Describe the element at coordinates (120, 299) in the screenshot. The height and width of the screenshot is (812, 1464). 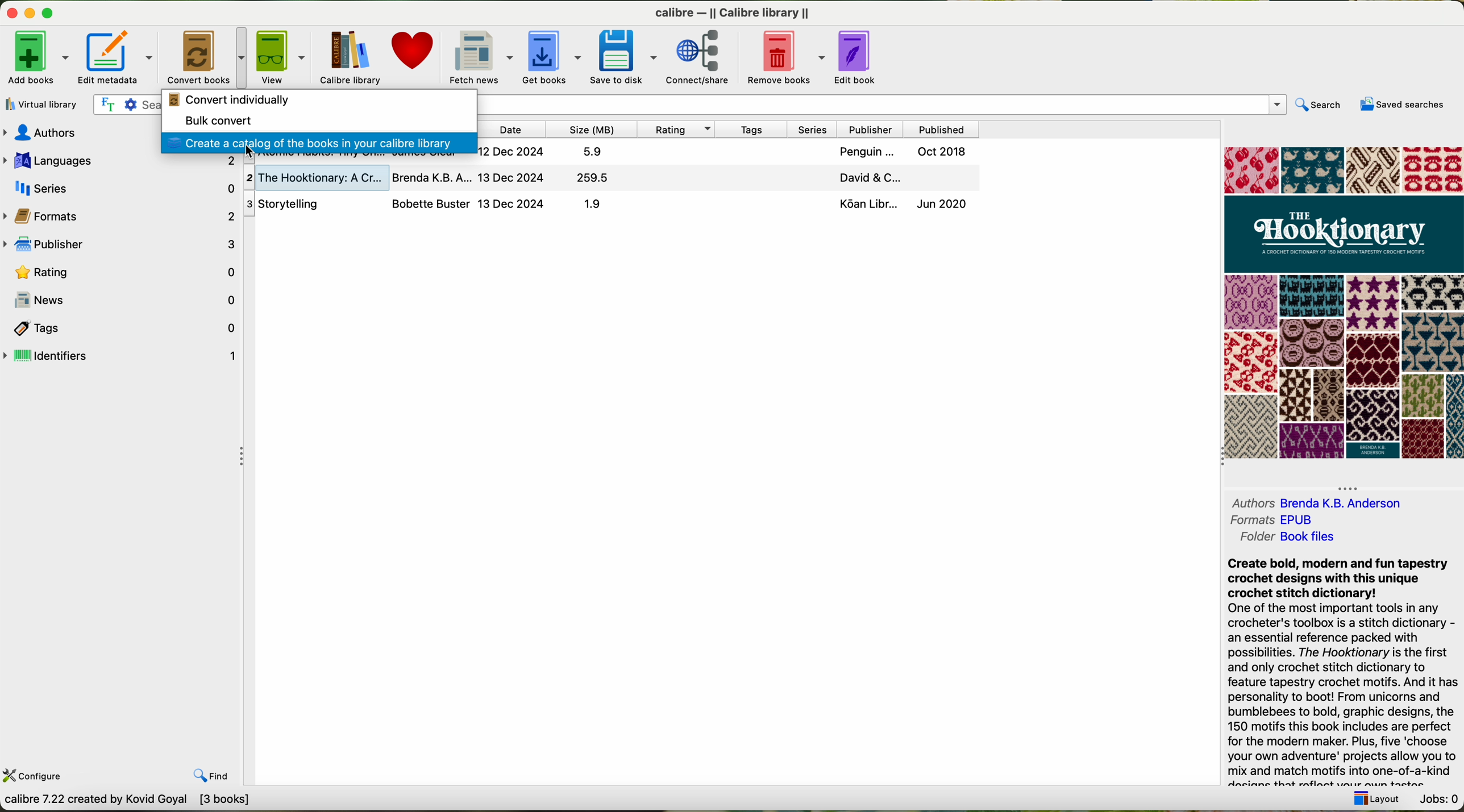
I see `news` at that location.